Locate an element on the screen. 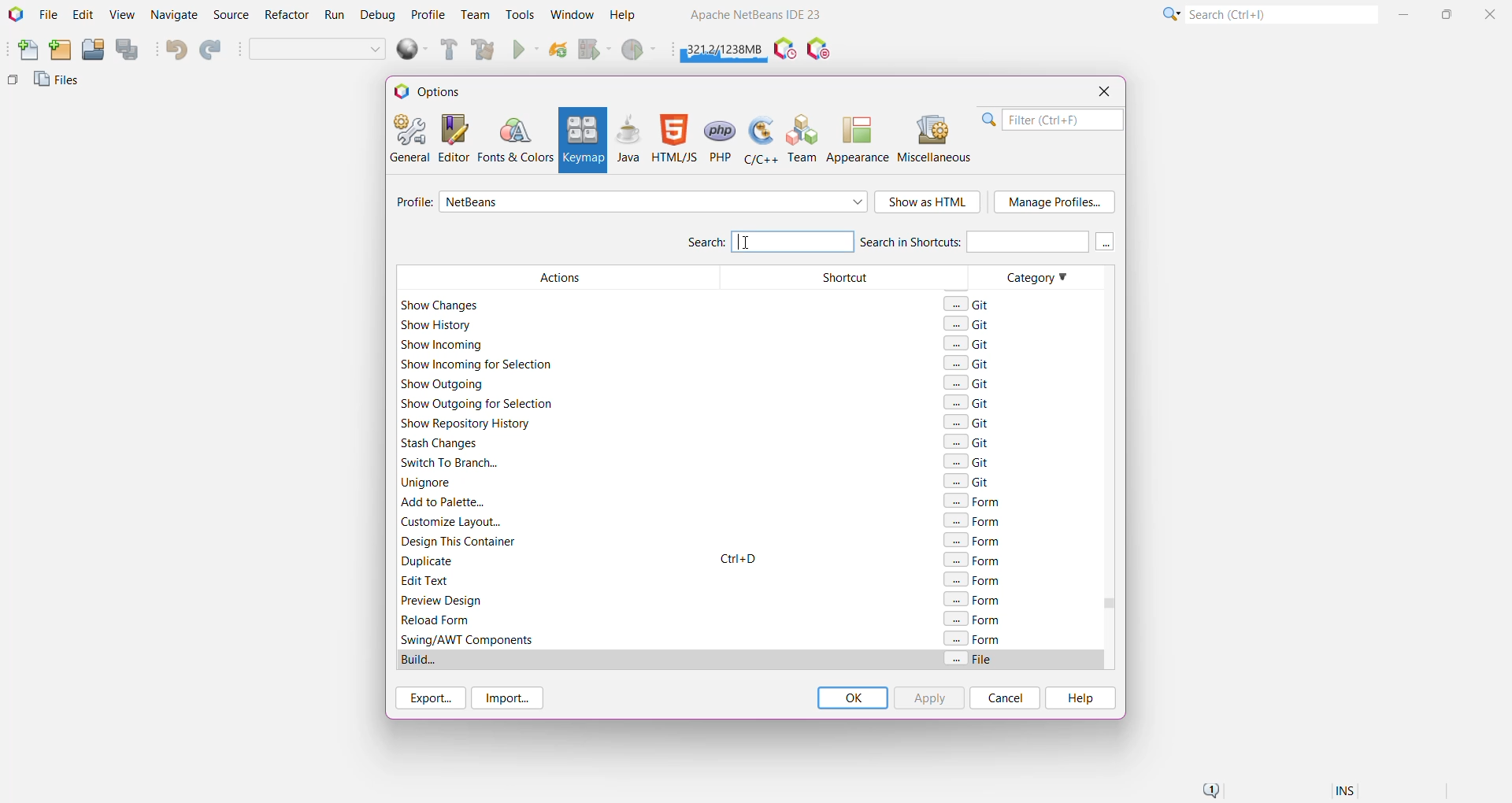 The height and width of the screenshot is (803, 1512). Debug Main Project is located at coordinates (594, 50).